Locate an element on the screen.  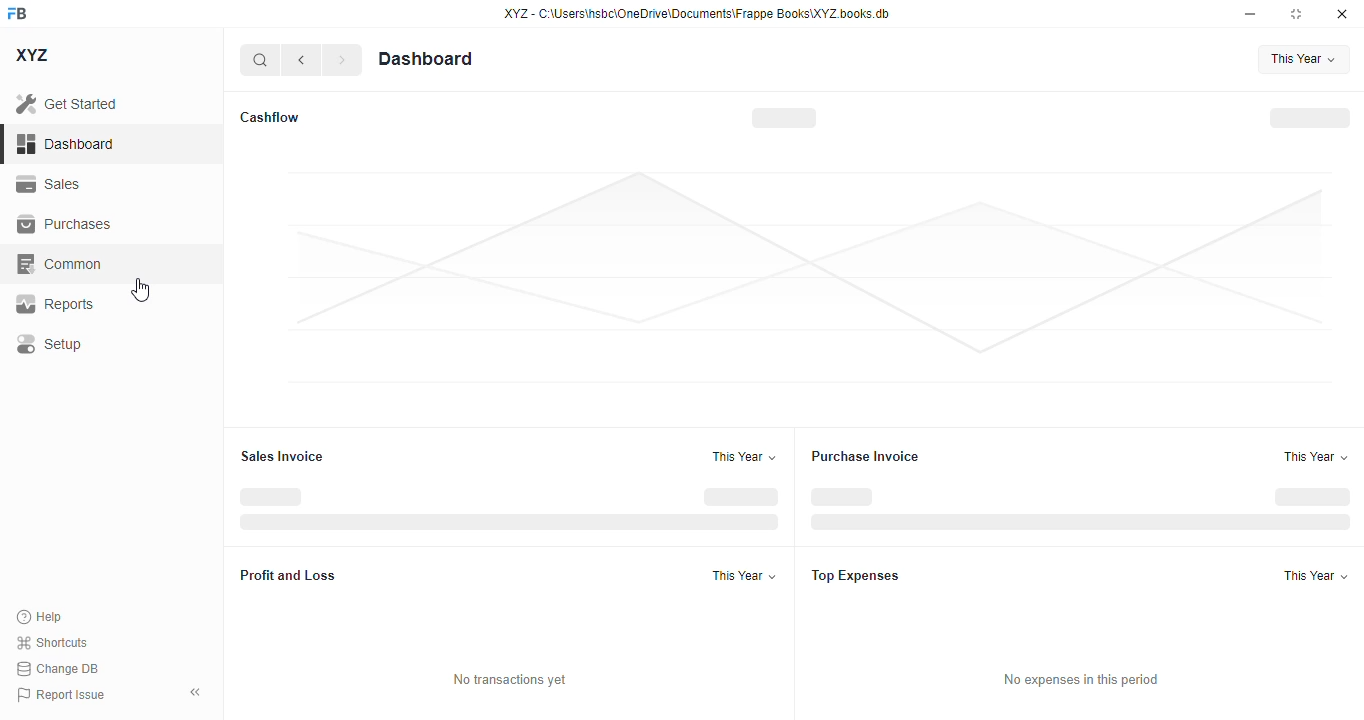
dashboard is located at coordinates (65, 143).